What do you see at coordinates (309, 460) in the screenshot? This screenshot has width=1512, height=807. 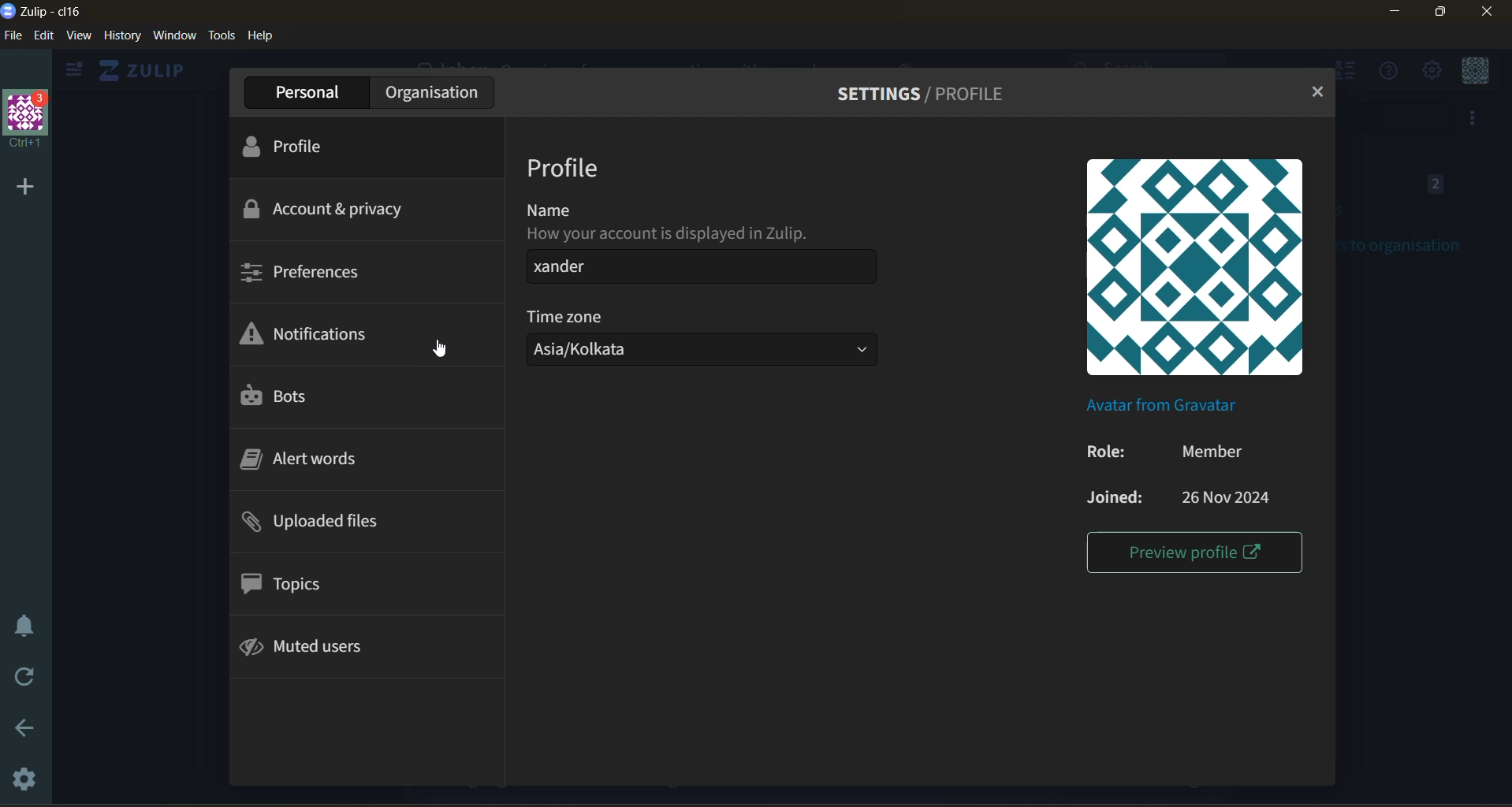 I see `alert words` at bounding box center [309, 460].